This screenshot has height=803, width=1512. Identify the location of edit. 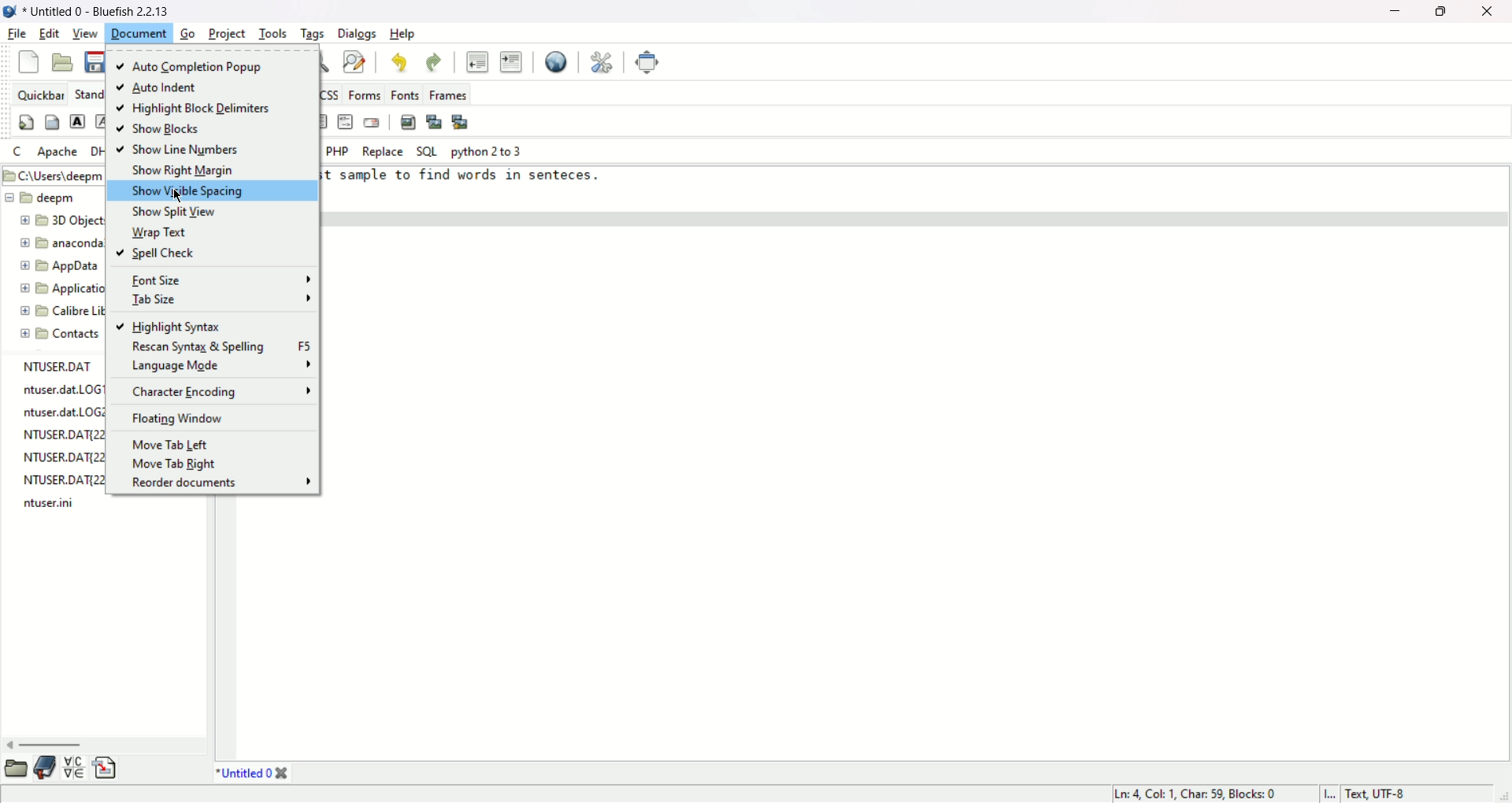
(49, 33).